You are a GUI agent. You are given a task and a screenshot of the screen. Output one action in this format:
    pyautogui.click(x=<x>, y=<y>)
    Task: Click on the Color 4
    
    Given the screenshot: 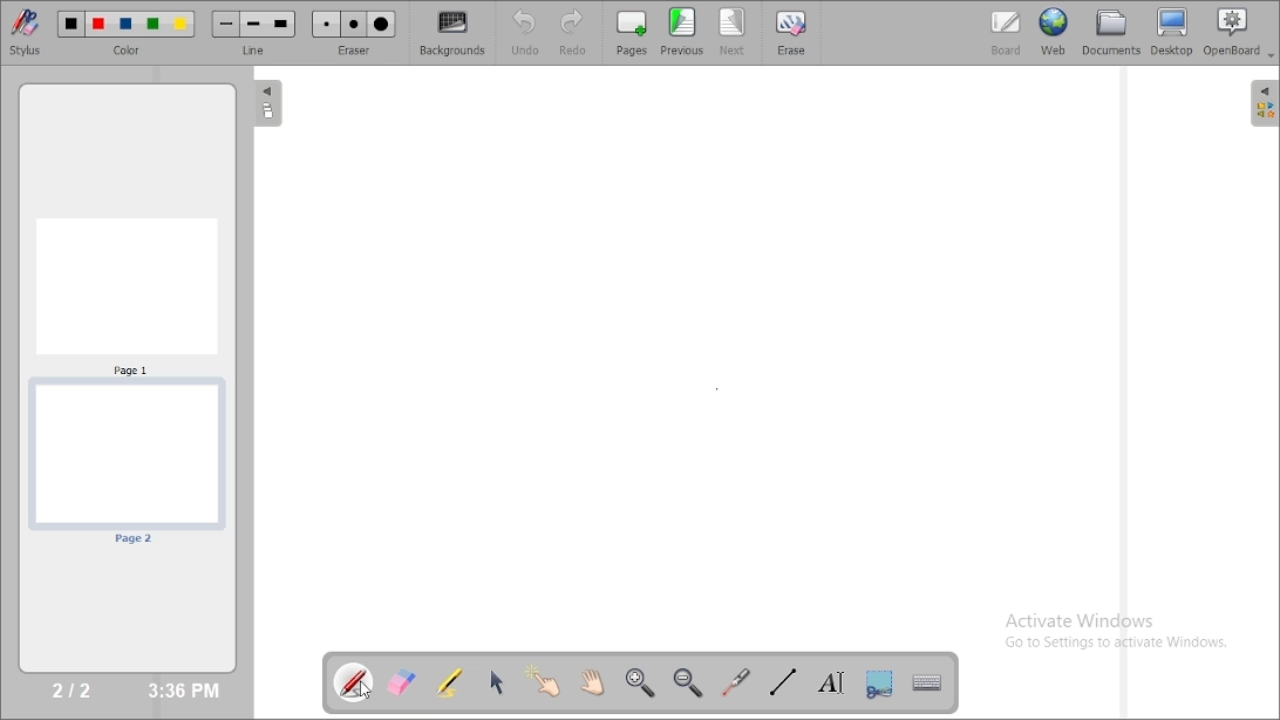 What is the action you would take?
    pyautogui.click(x=153, y=25)
    